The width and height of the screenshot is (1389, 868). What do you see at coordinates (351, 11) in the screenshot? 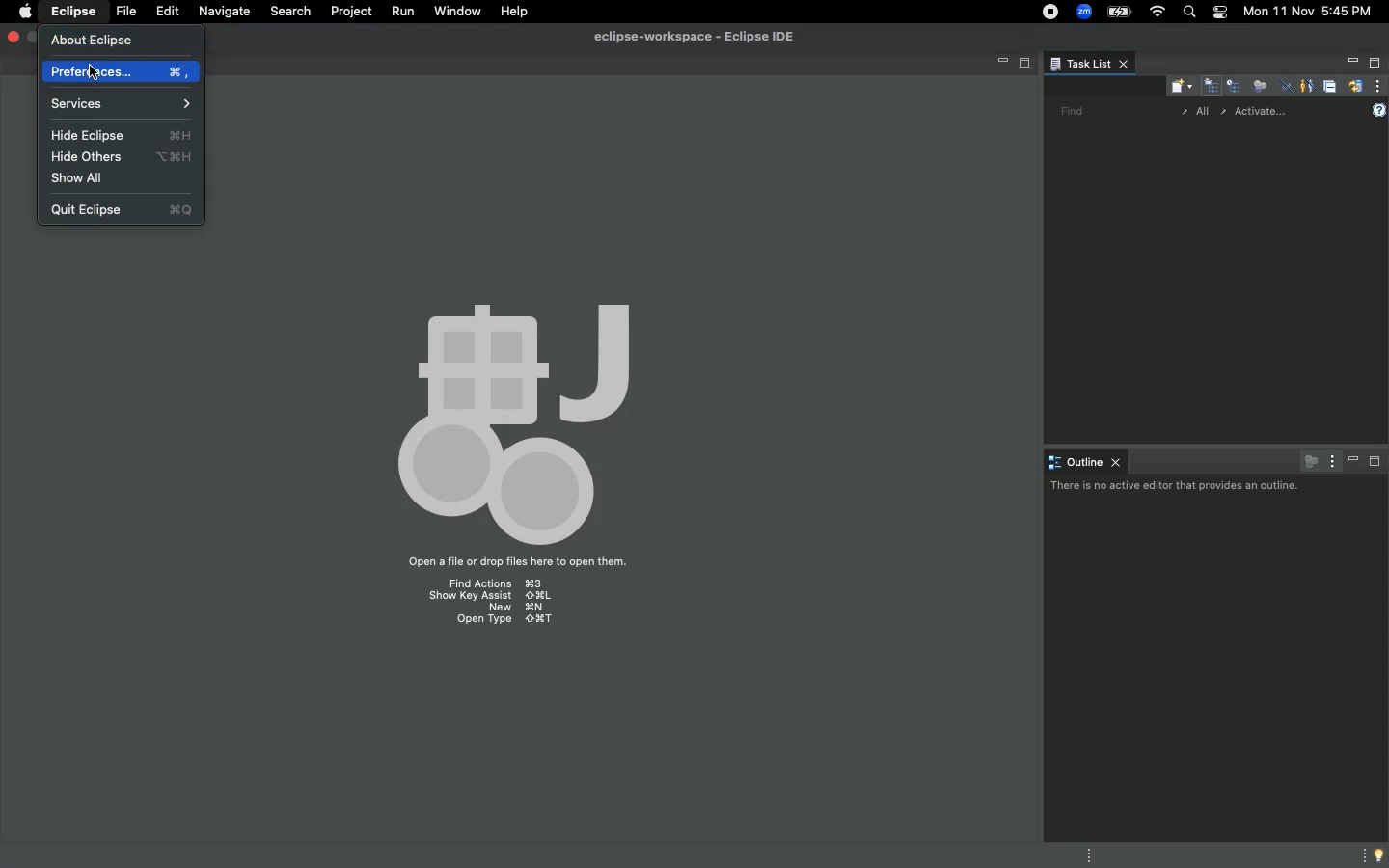
I see `Project` at bounding box center [351, 11].